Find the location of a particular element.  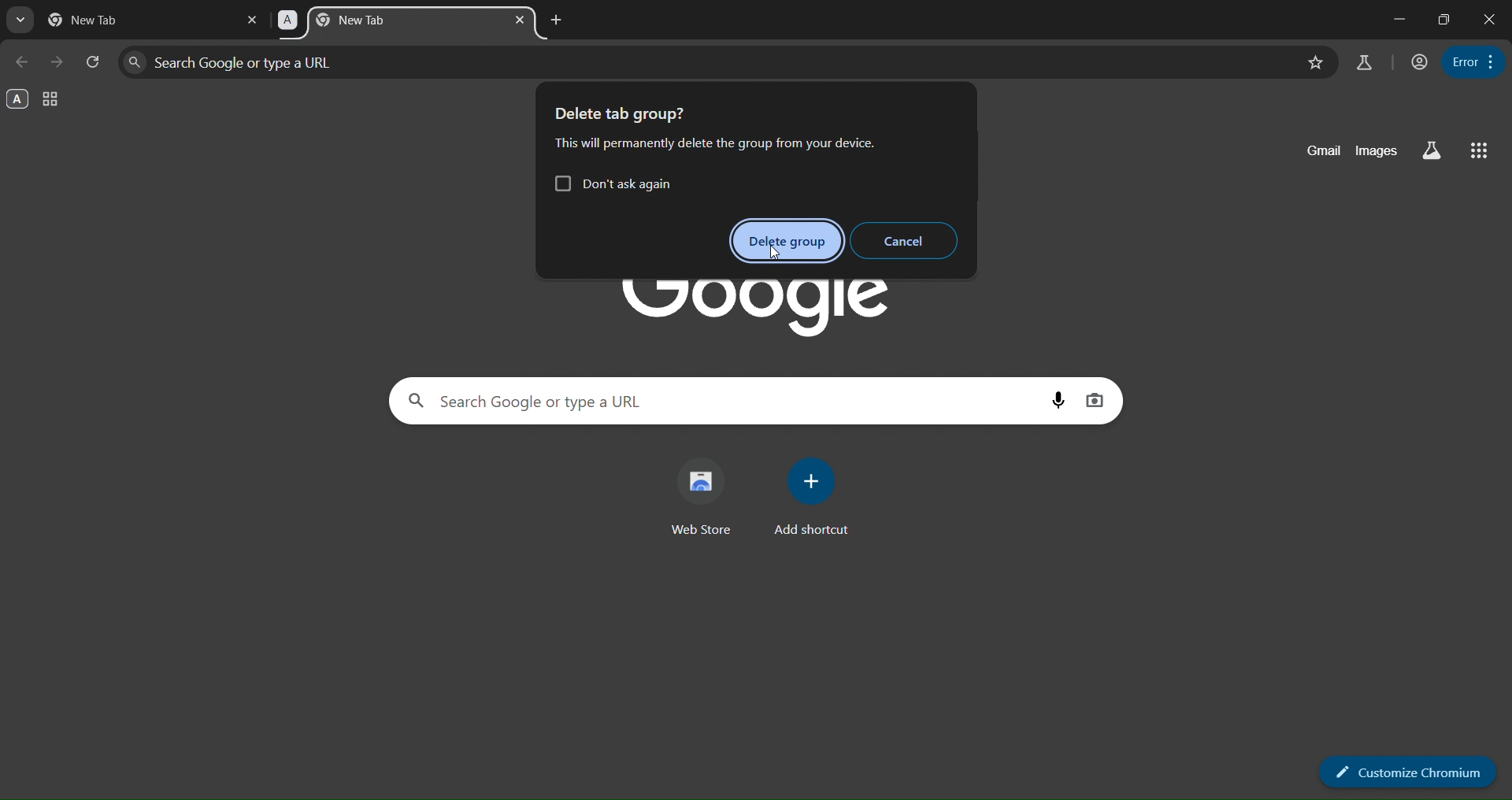

minimize is located at coordinates (1397, 17).